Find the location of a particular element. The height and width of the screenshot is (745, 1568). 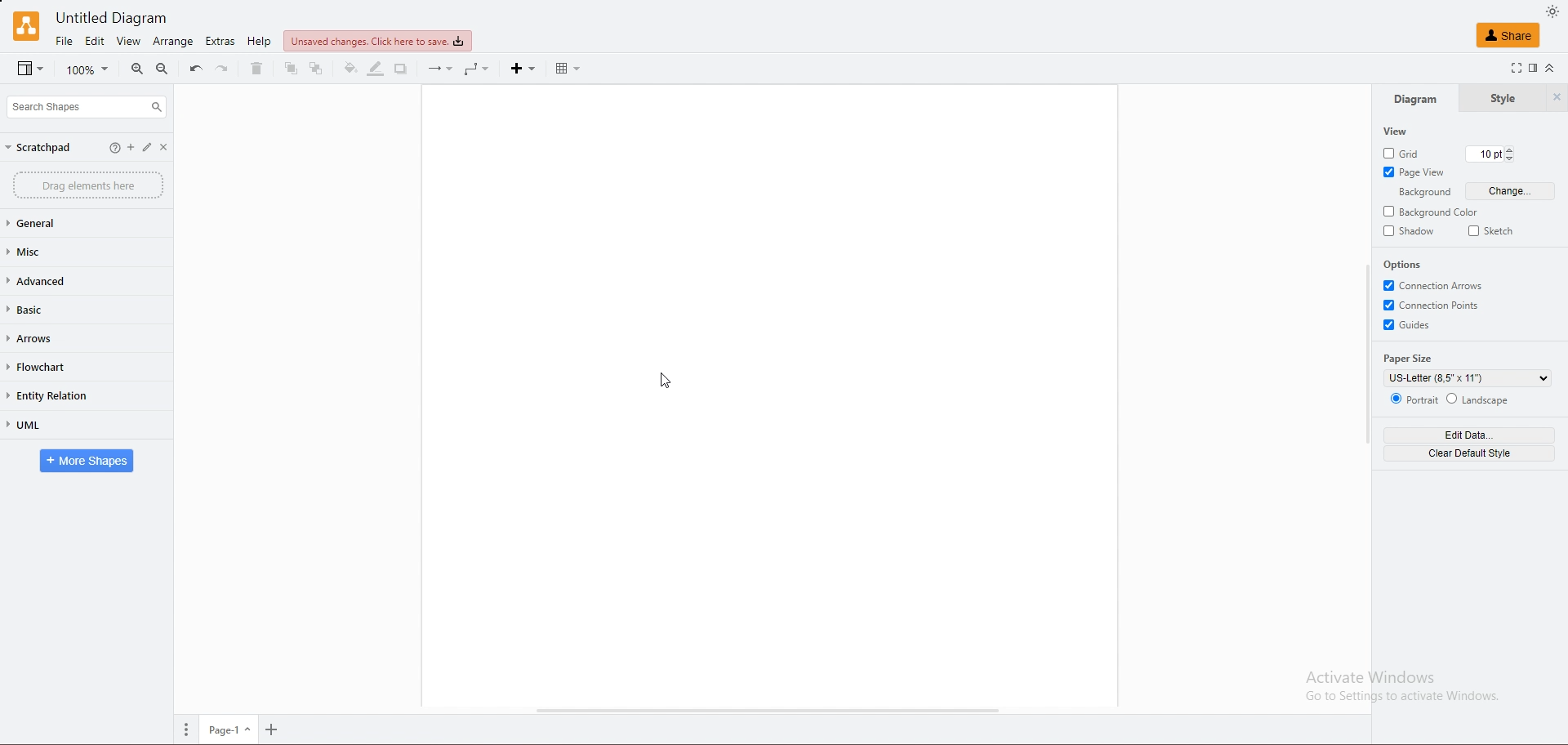

uml is located at coordinates (50, 424).